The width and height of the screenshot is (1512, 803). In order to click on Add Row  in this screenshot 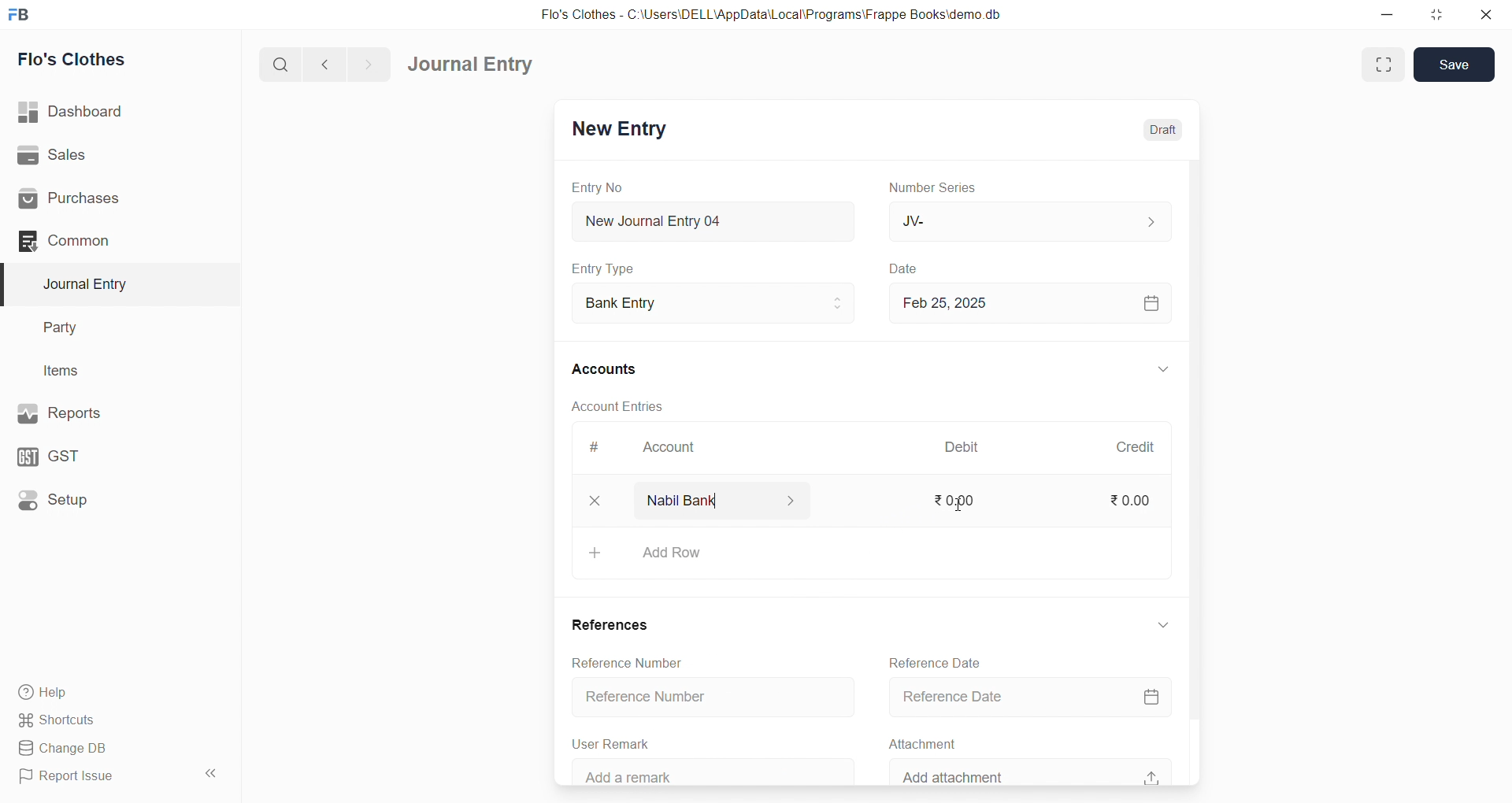, I will do `click(865, 553)`.